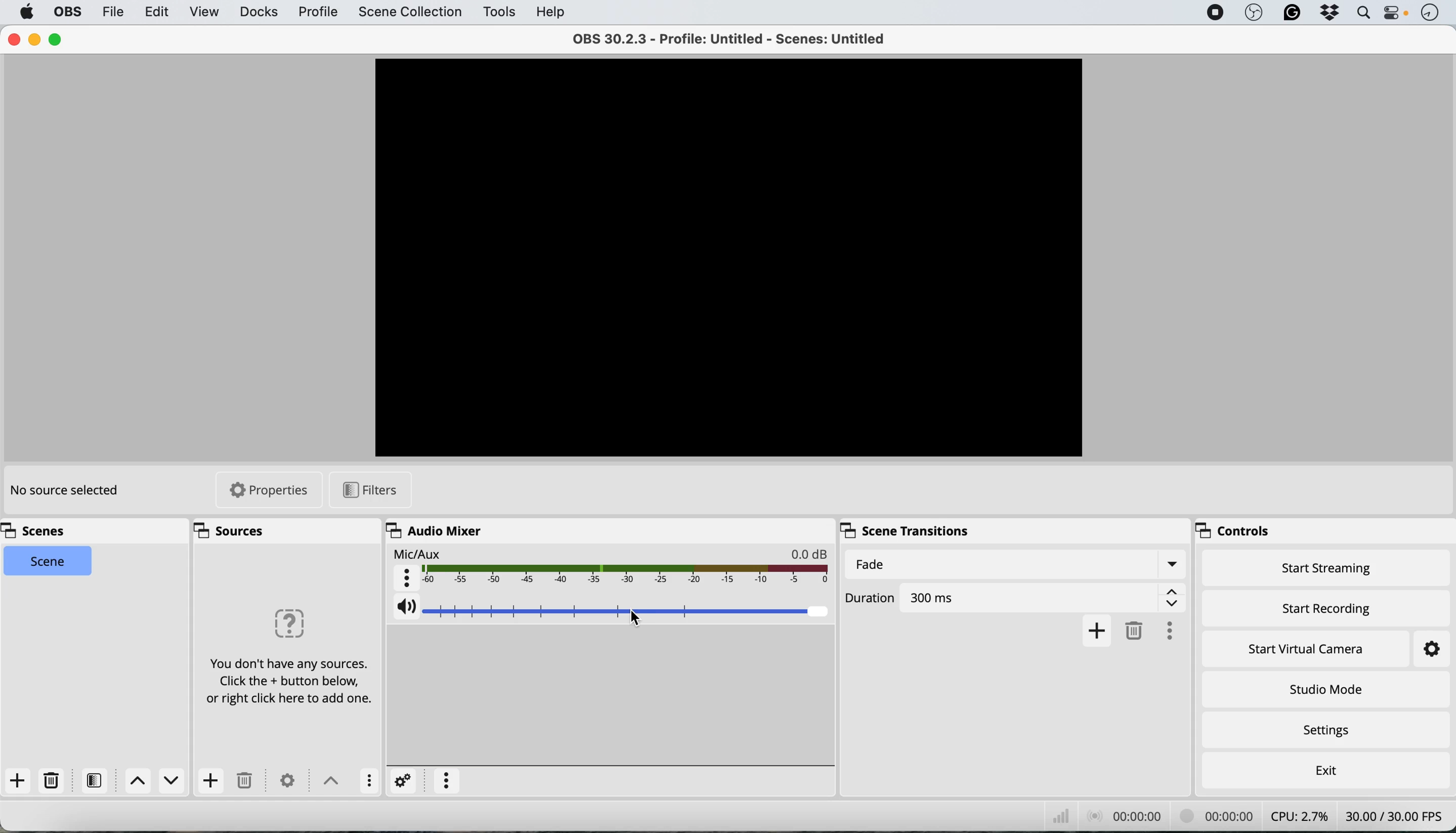 The width and height of the screenshot is (1456, 833). What do you see at coordinates (632, 616) in the screenshot?
I see `cursor` at bounding box center [632, 616].